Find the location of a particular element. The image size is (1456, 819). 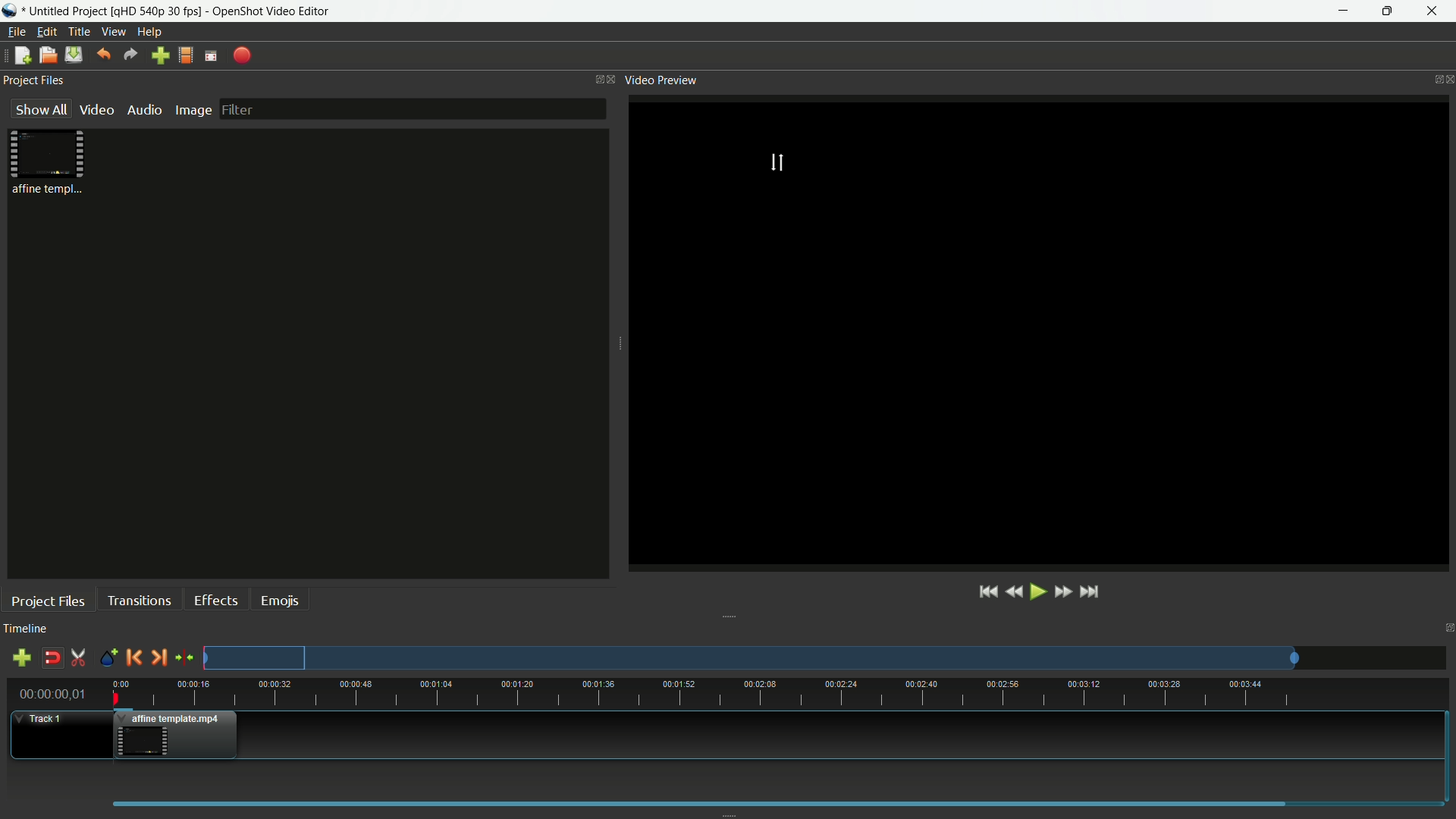

export is located at coordinates (241, 56).